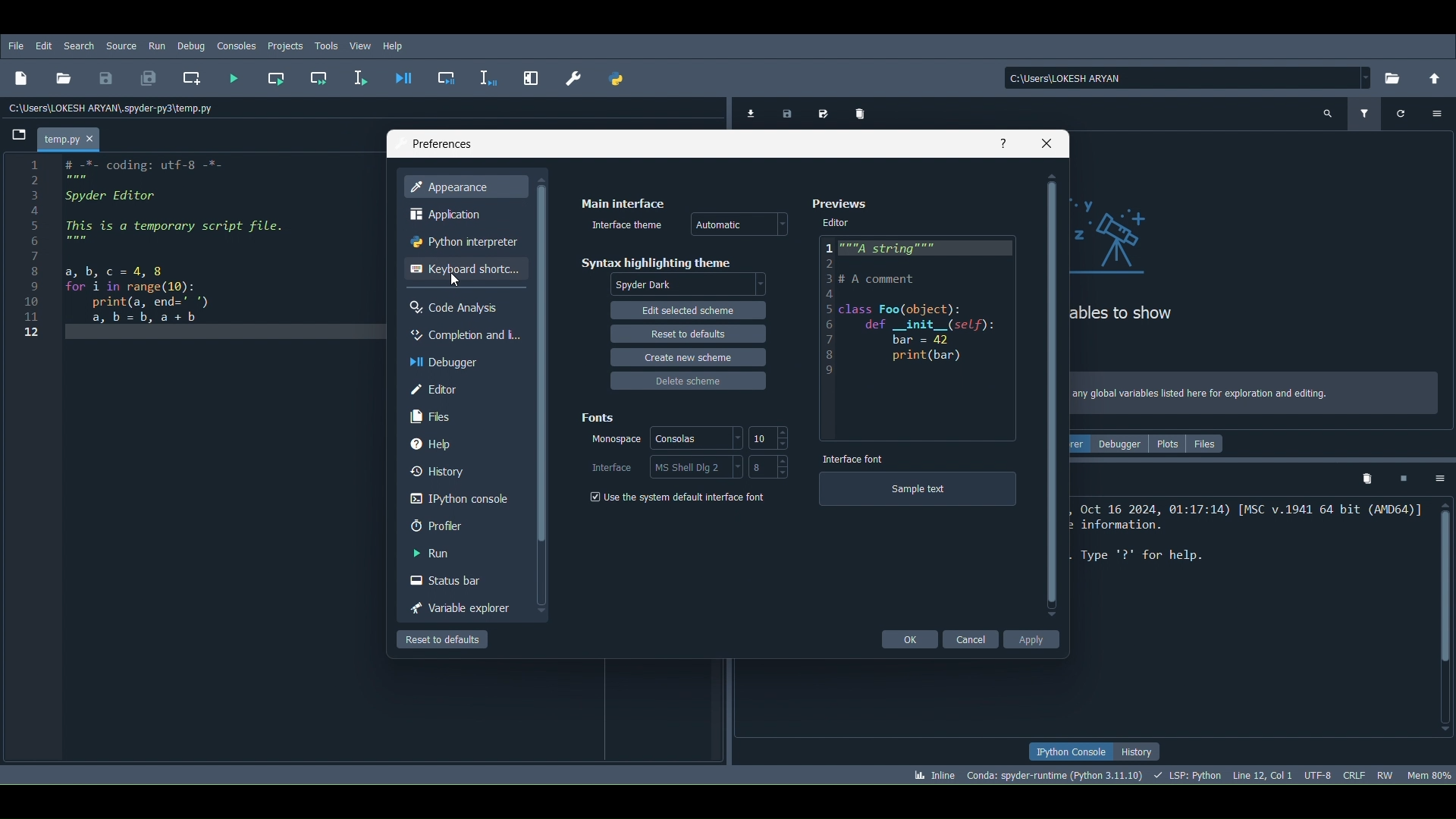 Image resolution: width=1456 pixels, height=819 pixels. I want to click on Keyboard shortcuts, so click(464, 269).